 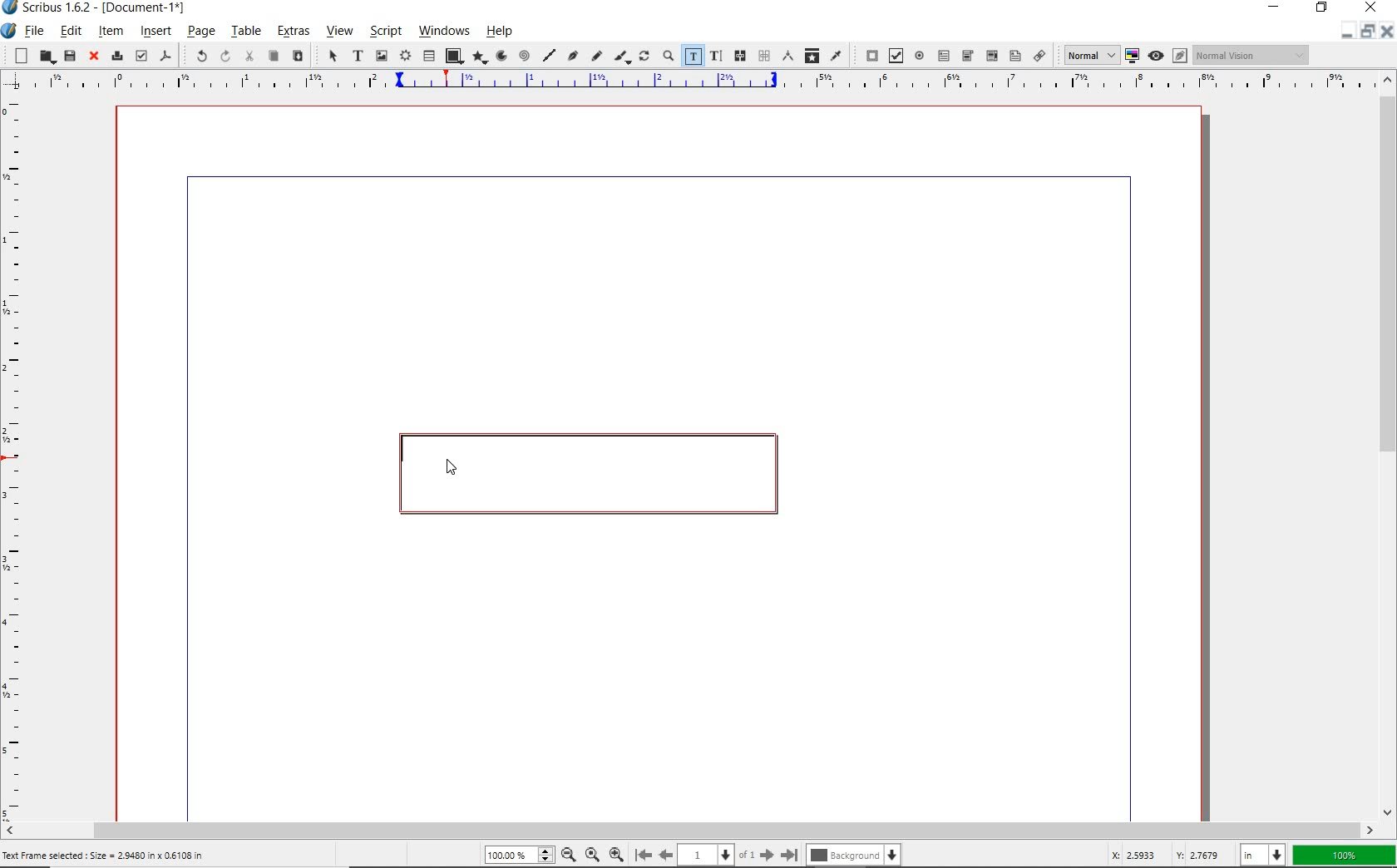 What do you see at coordinates (1155, 55) in the screenshot?
I see `Preview mode` at bounding box center [1155, 55].